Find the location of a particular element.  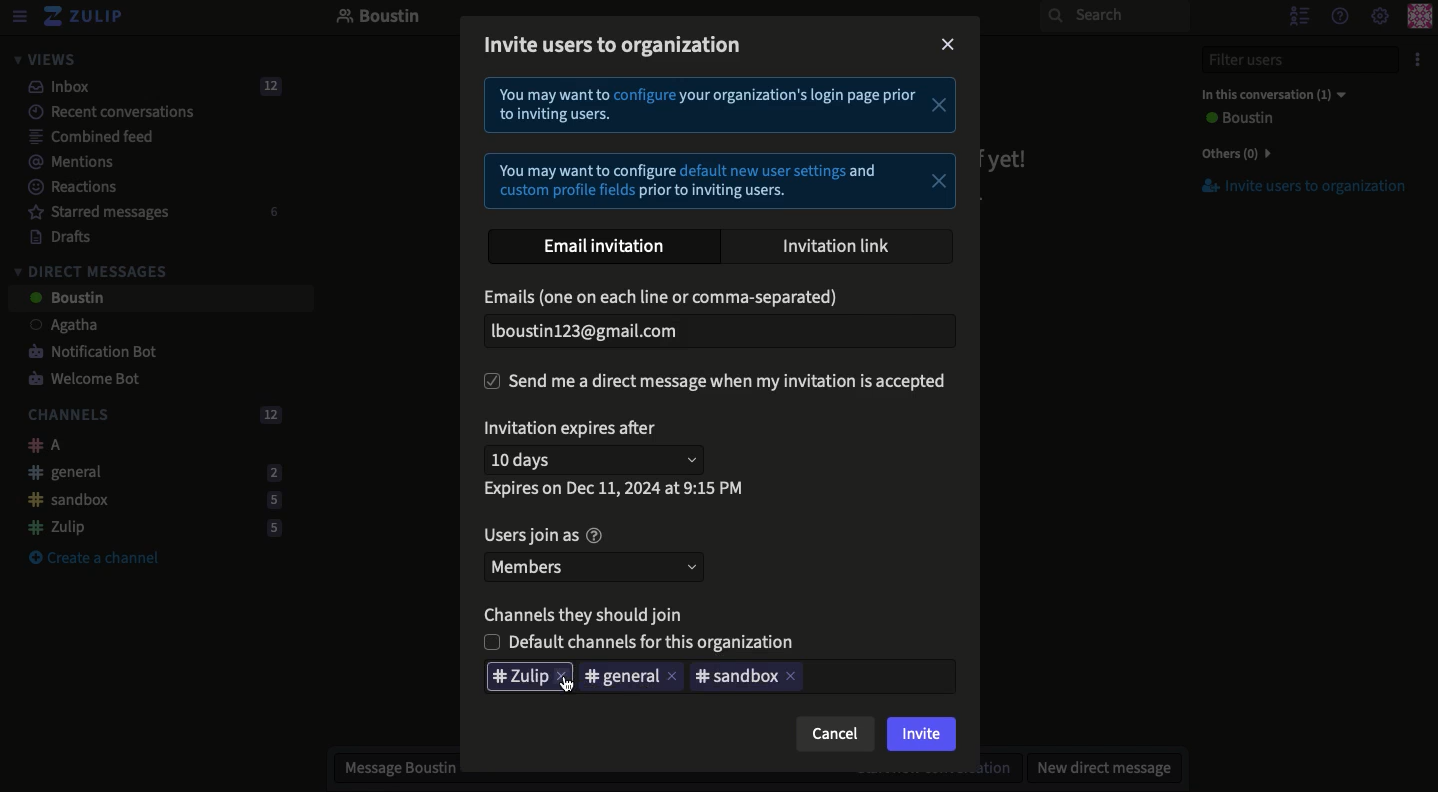

Starred messages is located at coordinates (150, 212).